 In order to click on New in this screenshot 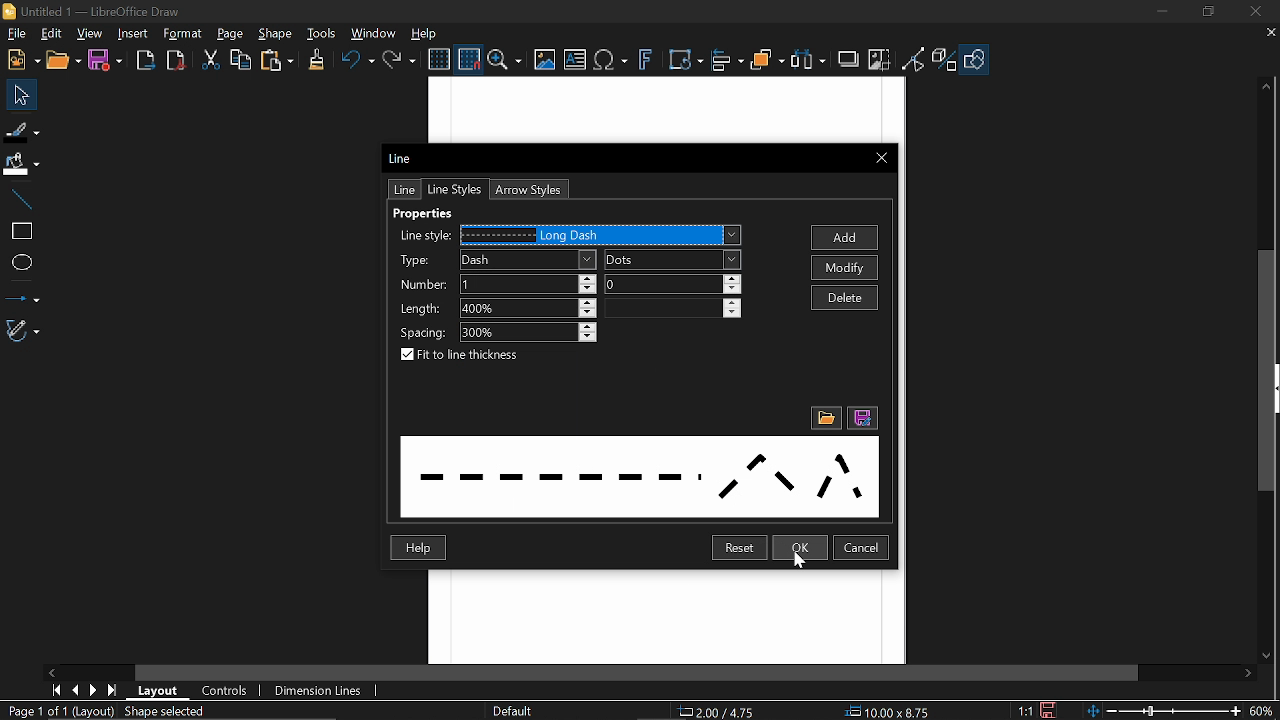, I will do `click(21, 61)`.